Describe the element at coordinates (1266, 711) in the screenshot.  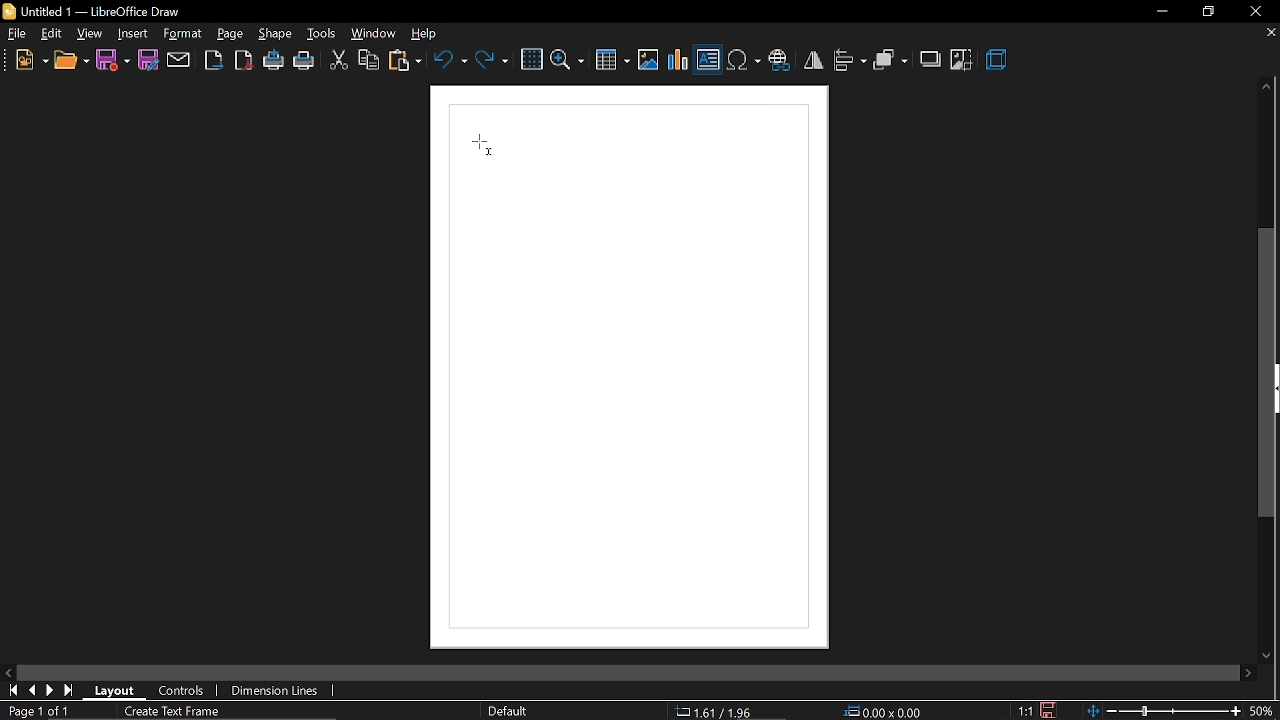
I see `current zoom` at that location.